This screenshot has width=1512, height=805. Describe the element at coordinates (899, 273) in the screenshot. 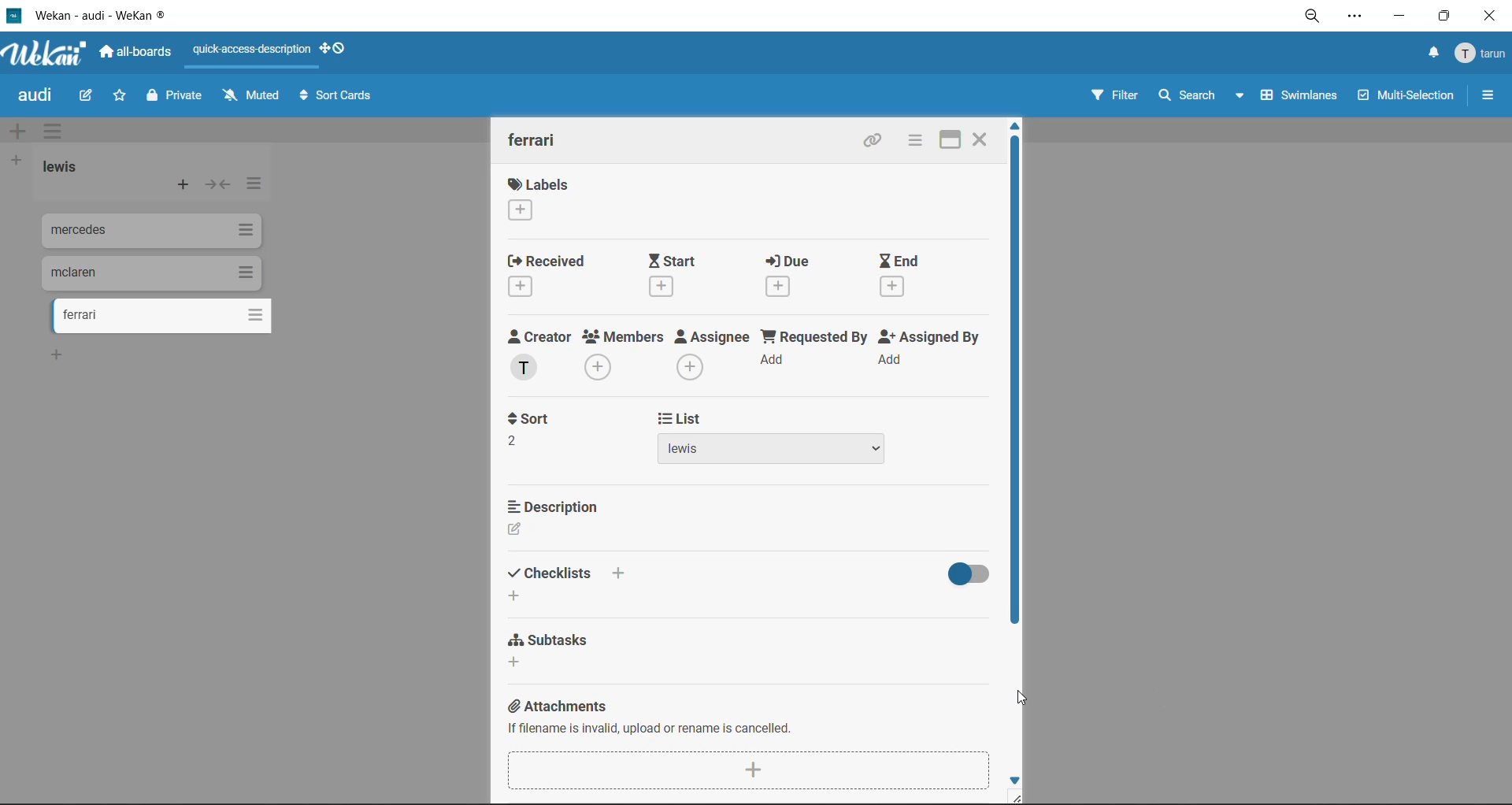

I see `end` at that location.